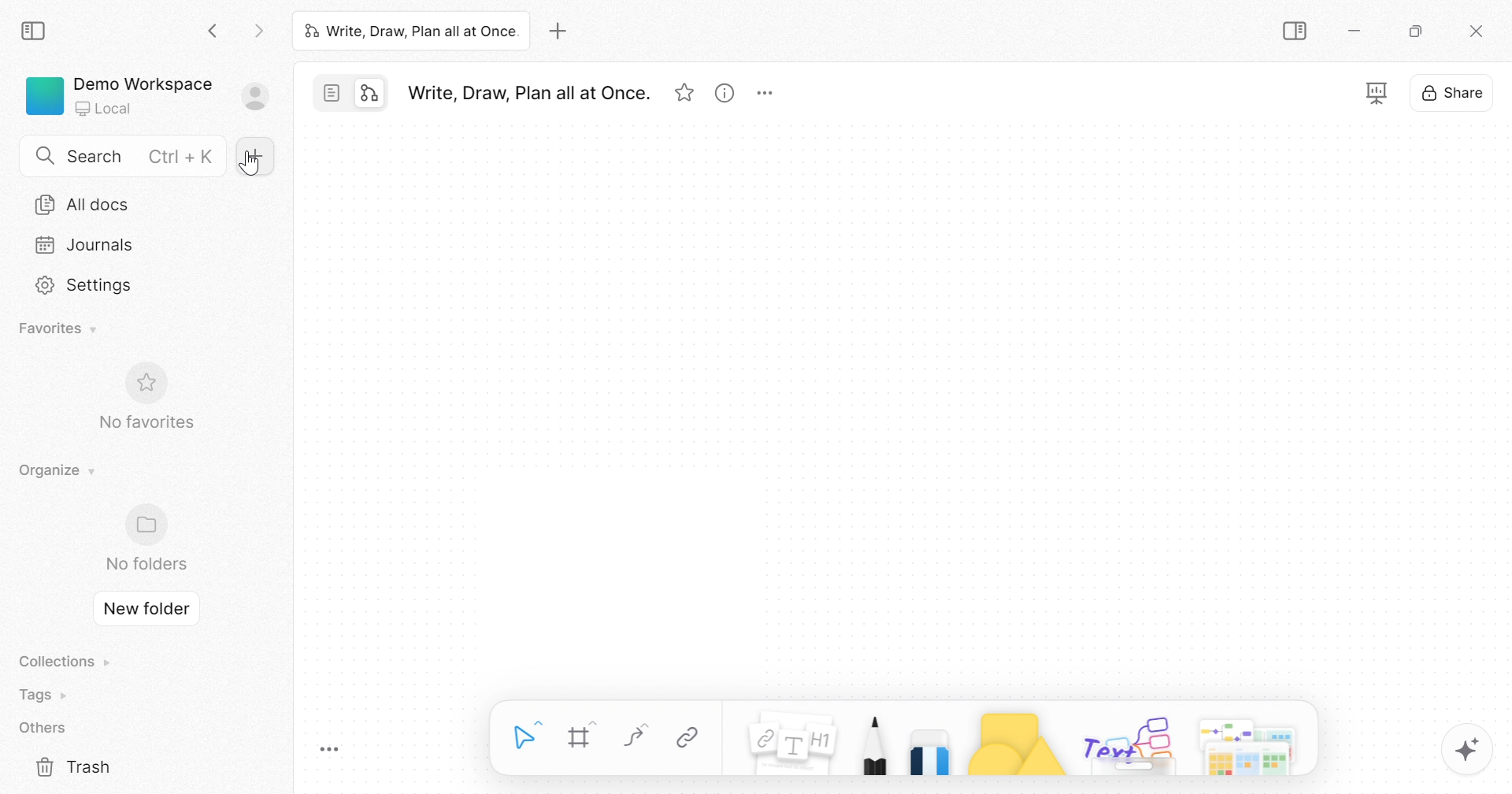 The image size is (1512, 794). What do you see at coordinates (684, 95) in the screenshot?
I see `Fovorites` at bounding box center [684, 95].